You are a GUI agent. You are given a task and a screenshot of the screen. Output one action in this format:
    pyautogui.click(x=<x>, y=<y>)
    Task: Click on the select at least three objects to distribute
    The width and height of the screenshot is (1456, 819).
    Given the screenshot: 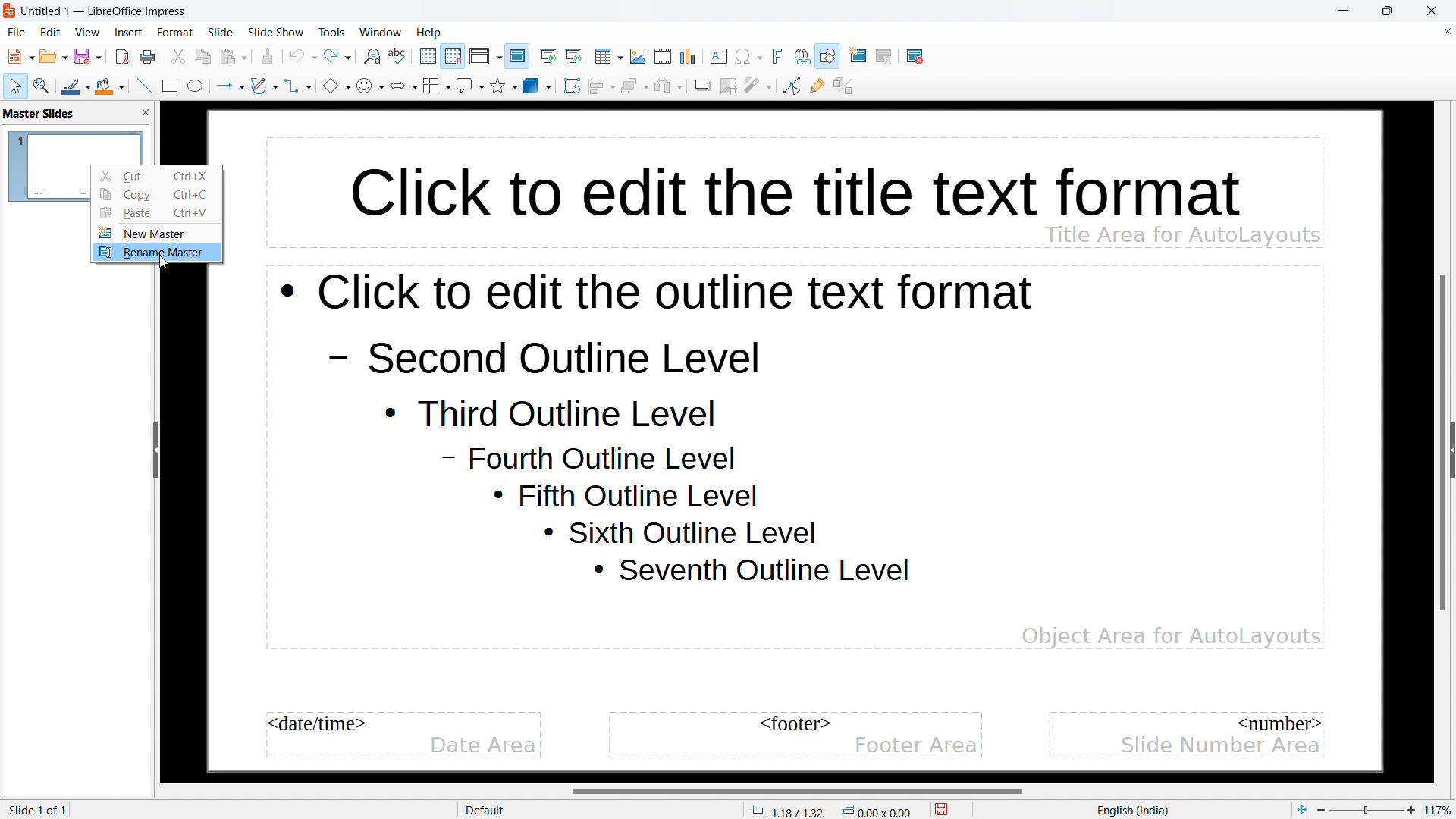 What is the action you would take?
    pyautogui.click(x=669, y=86)
    